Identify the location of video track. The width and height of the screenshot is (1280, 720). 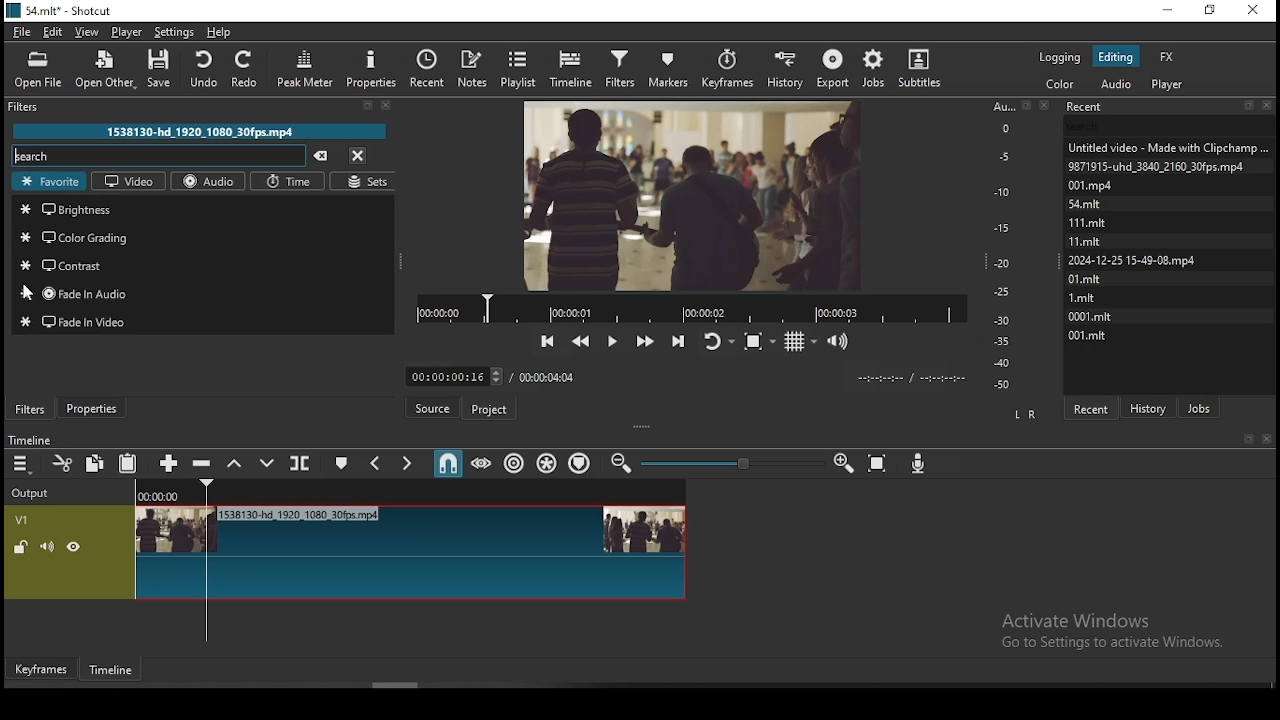
(345, 552).